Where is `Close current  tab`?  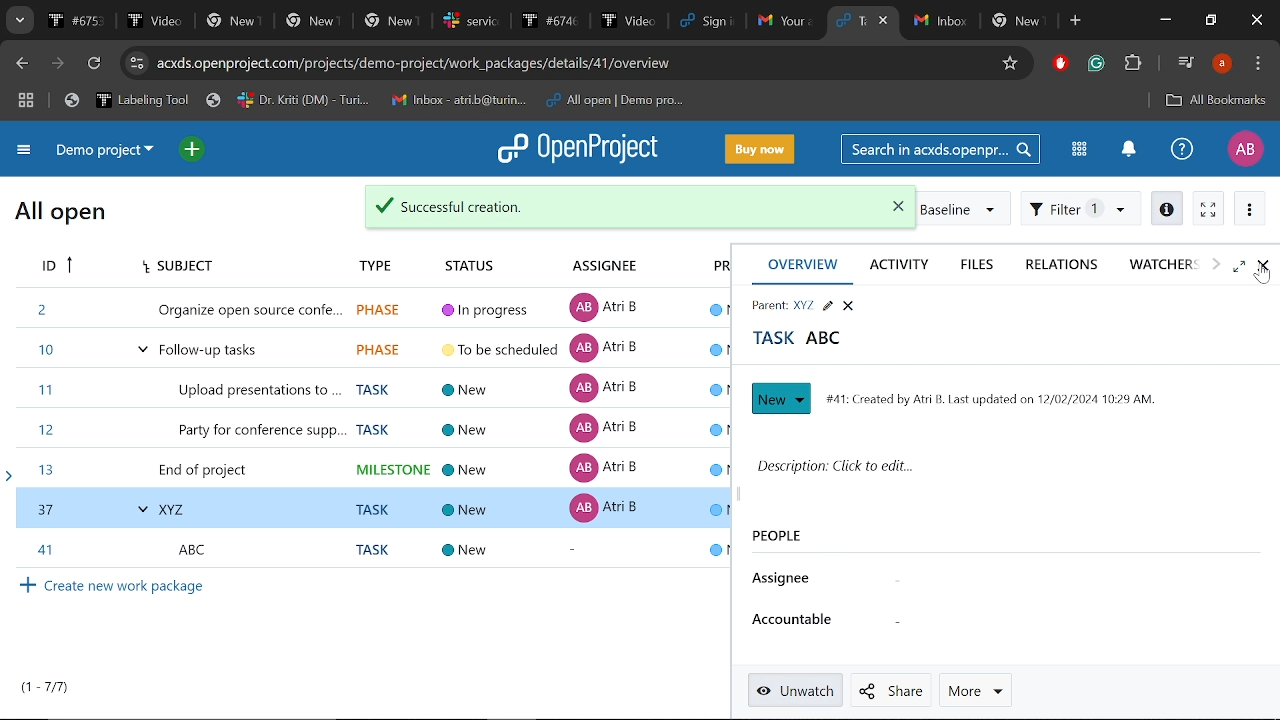 Close current  tab is located at coordinates (885, 20).